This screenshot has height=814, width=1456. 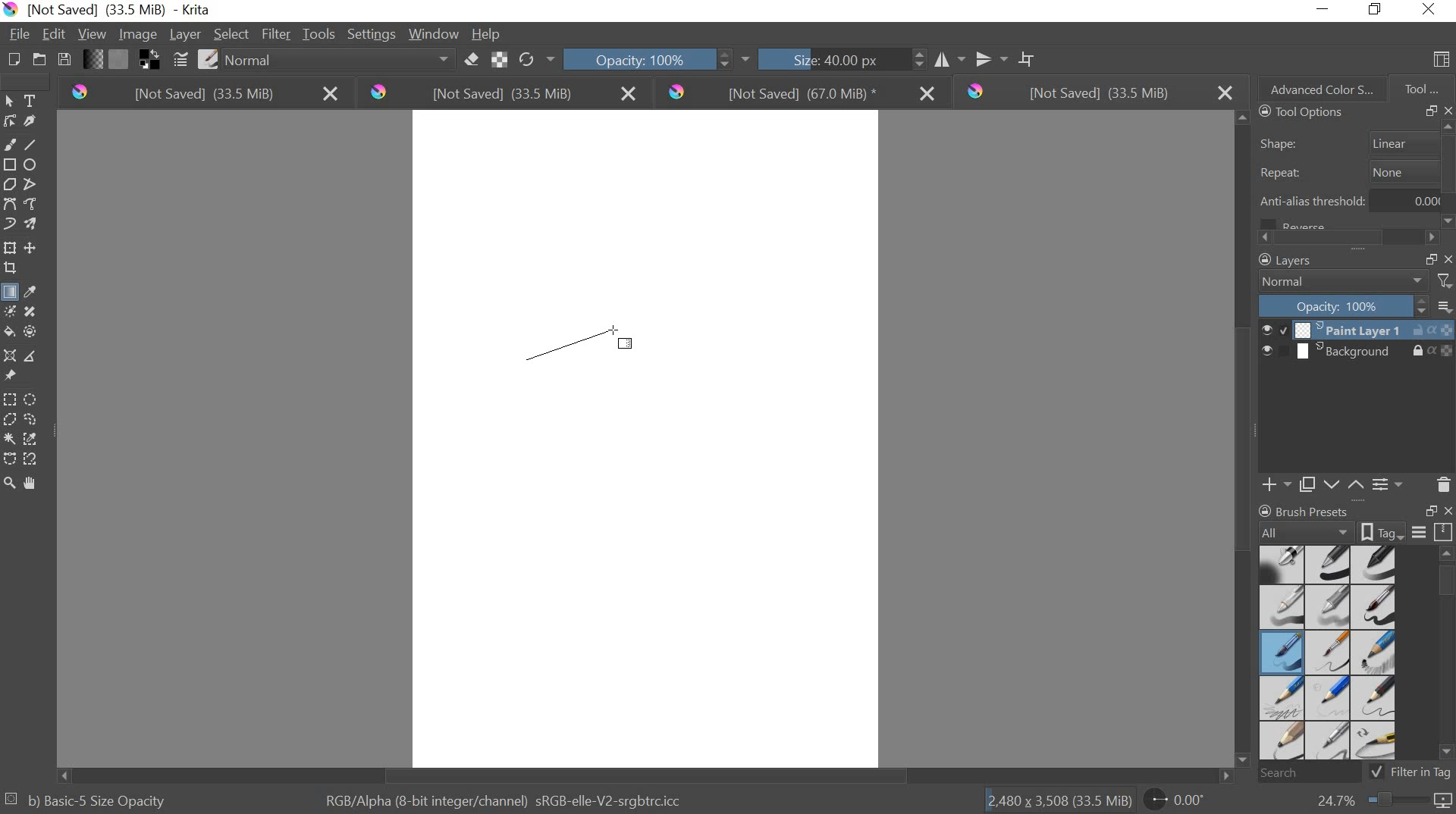 I want to click on WRAP AROUND MODE, so click(x=1032, y=56).